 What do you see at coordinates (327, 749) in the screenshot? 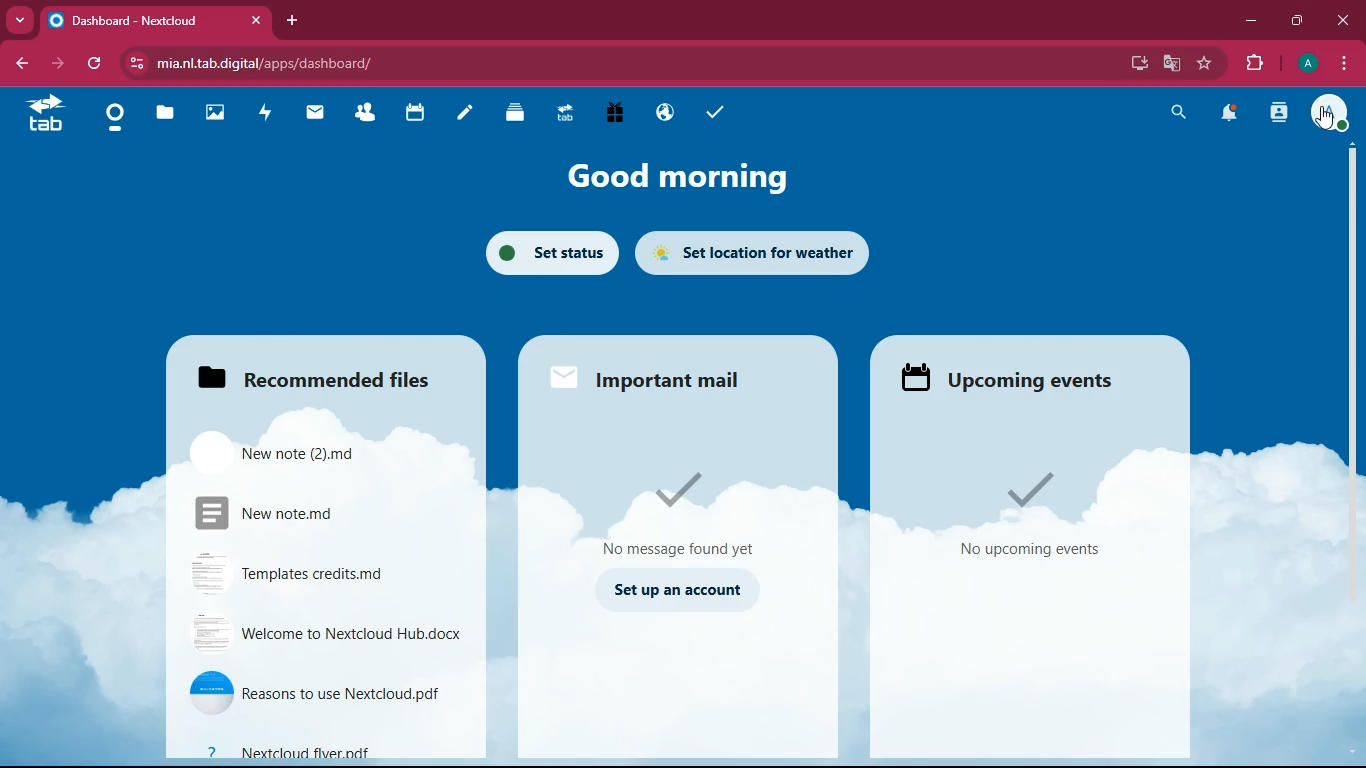
I see `file` at bounding box center [327, 749].